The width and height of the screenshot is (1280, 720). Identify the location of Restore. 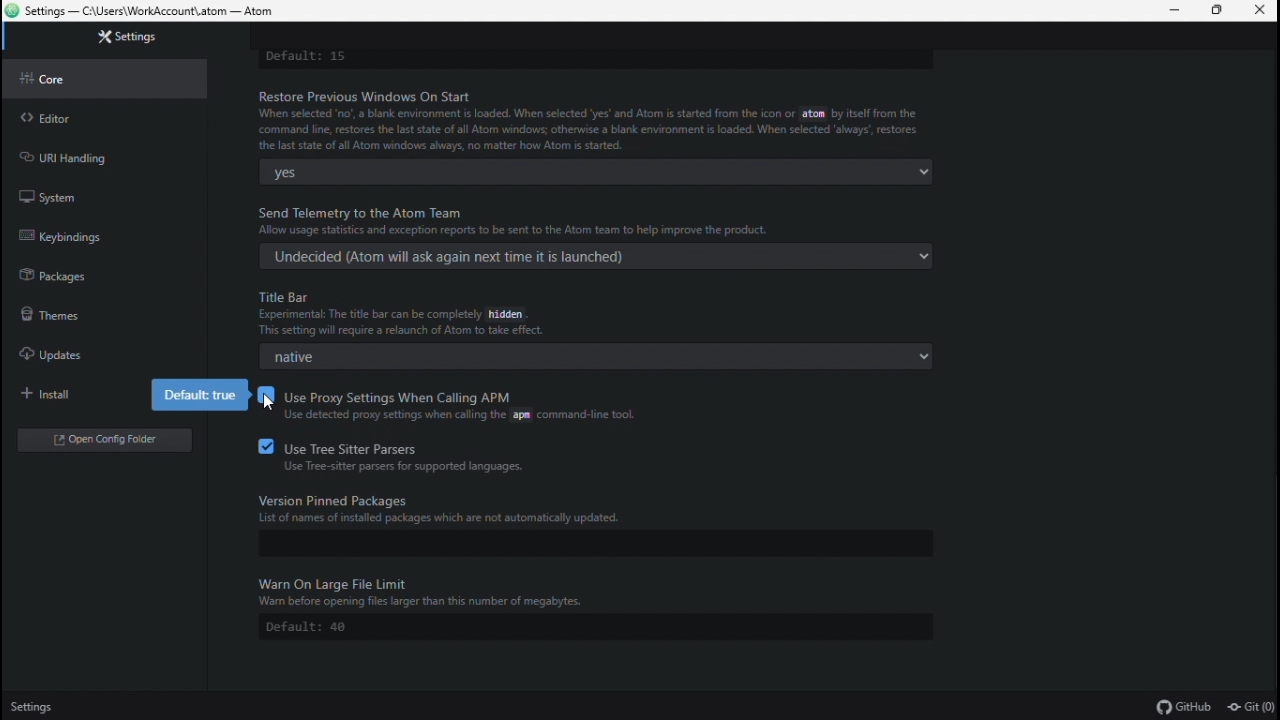
(1219, 12).